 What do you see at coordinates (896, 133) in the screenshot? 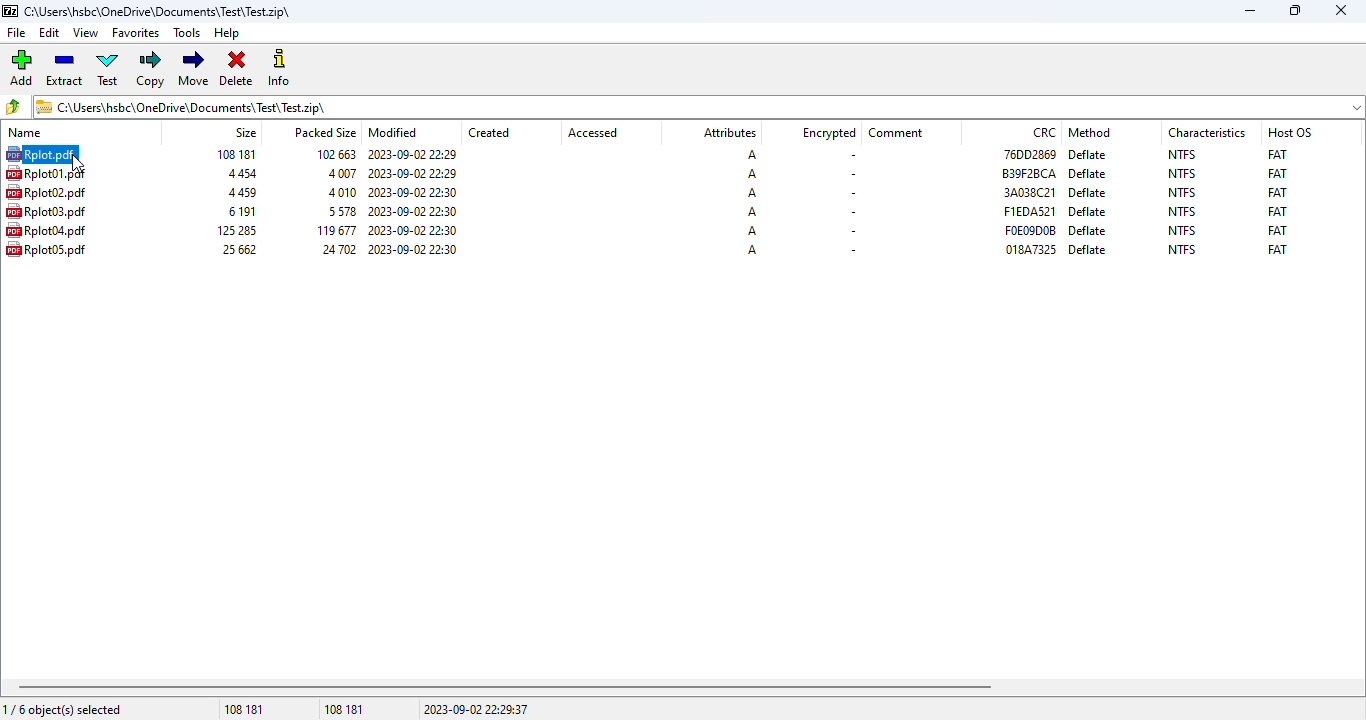
I see ` comment` at bounding box center [896, 133].